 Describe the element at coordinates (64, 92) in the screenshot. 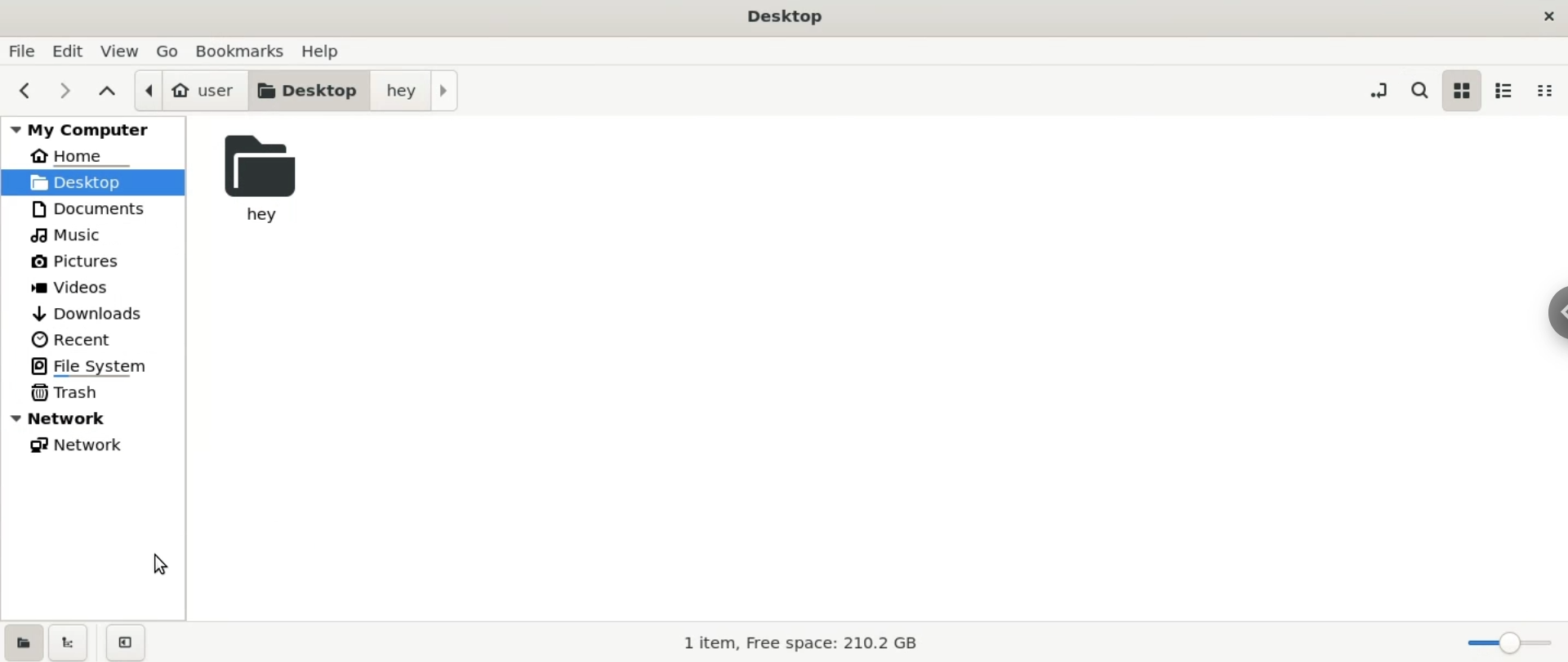

I see `next` at that location.